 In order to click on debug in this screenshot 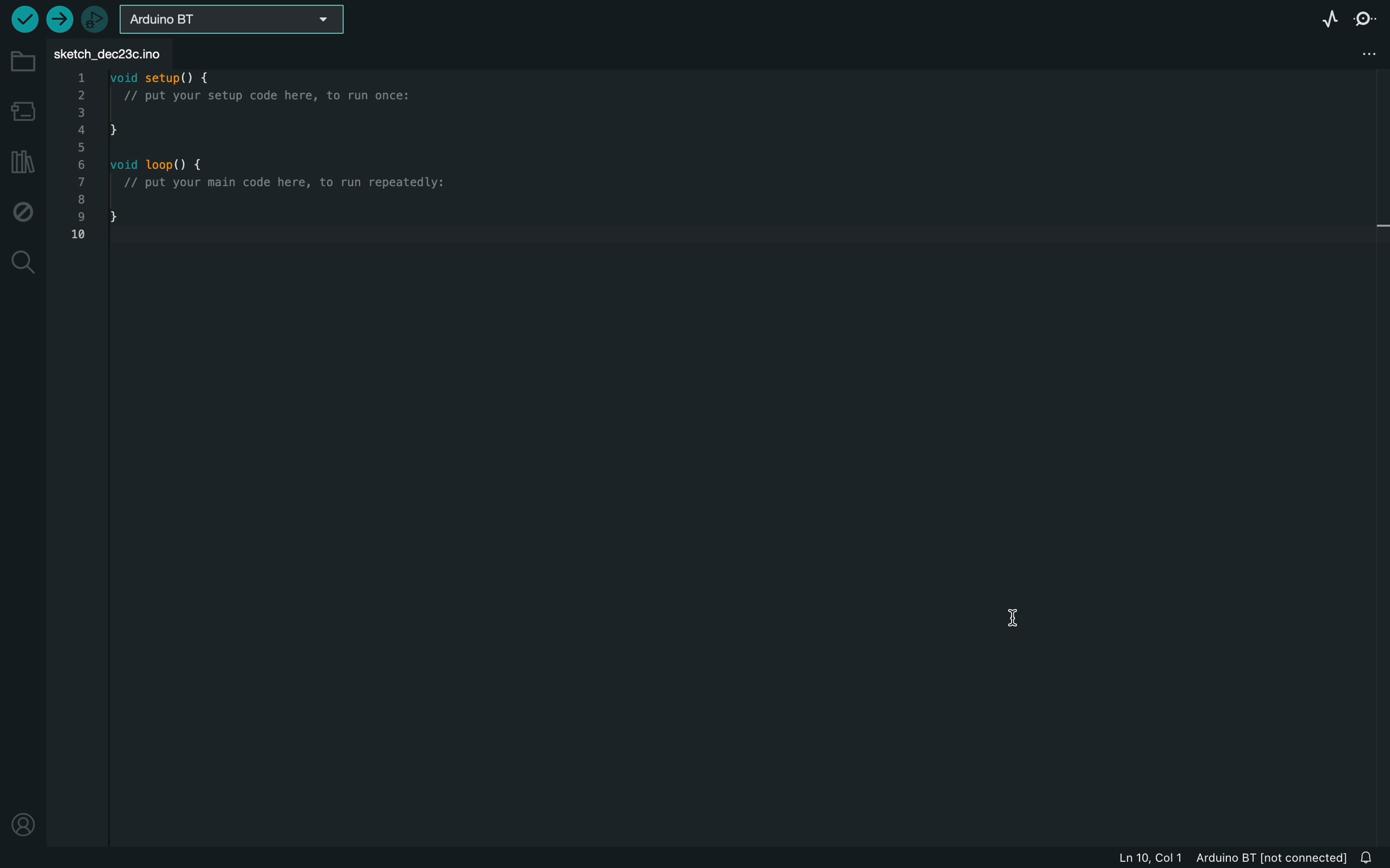, I will do `click(24, 212)`.